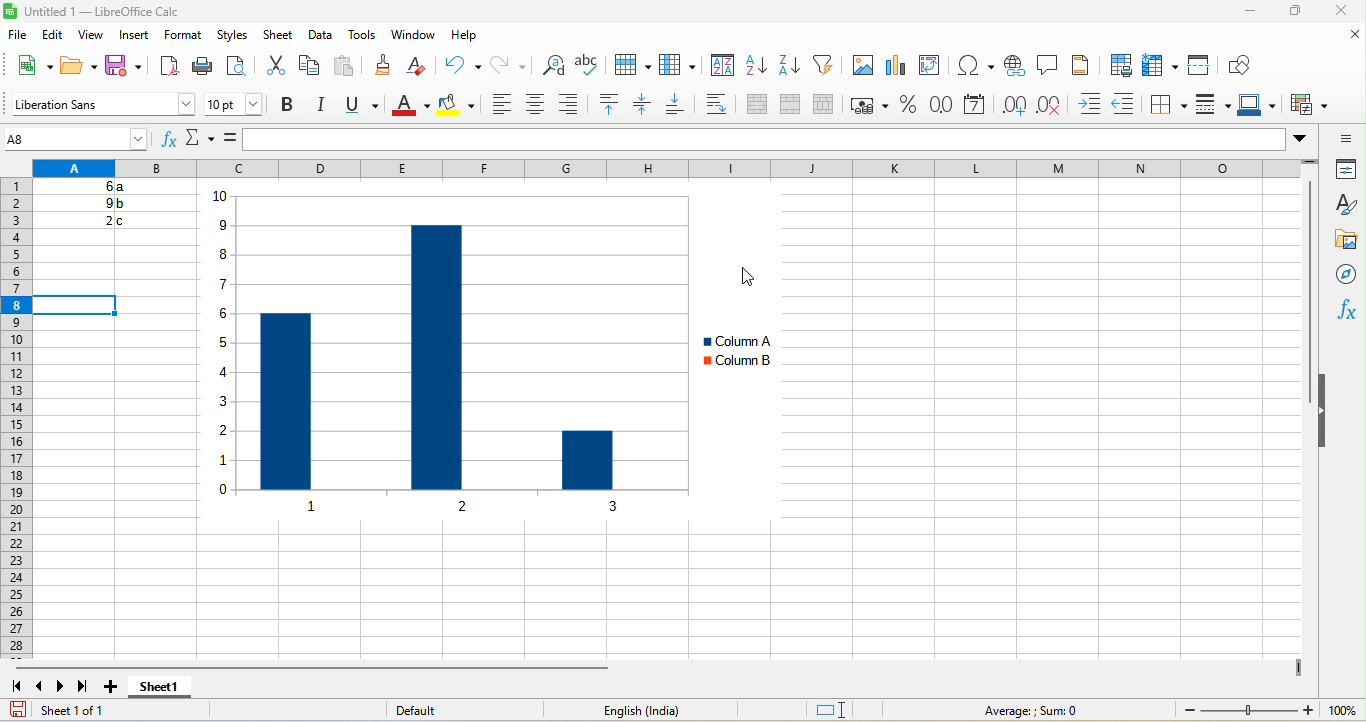  I want to click on English (India), so click(631, 711).